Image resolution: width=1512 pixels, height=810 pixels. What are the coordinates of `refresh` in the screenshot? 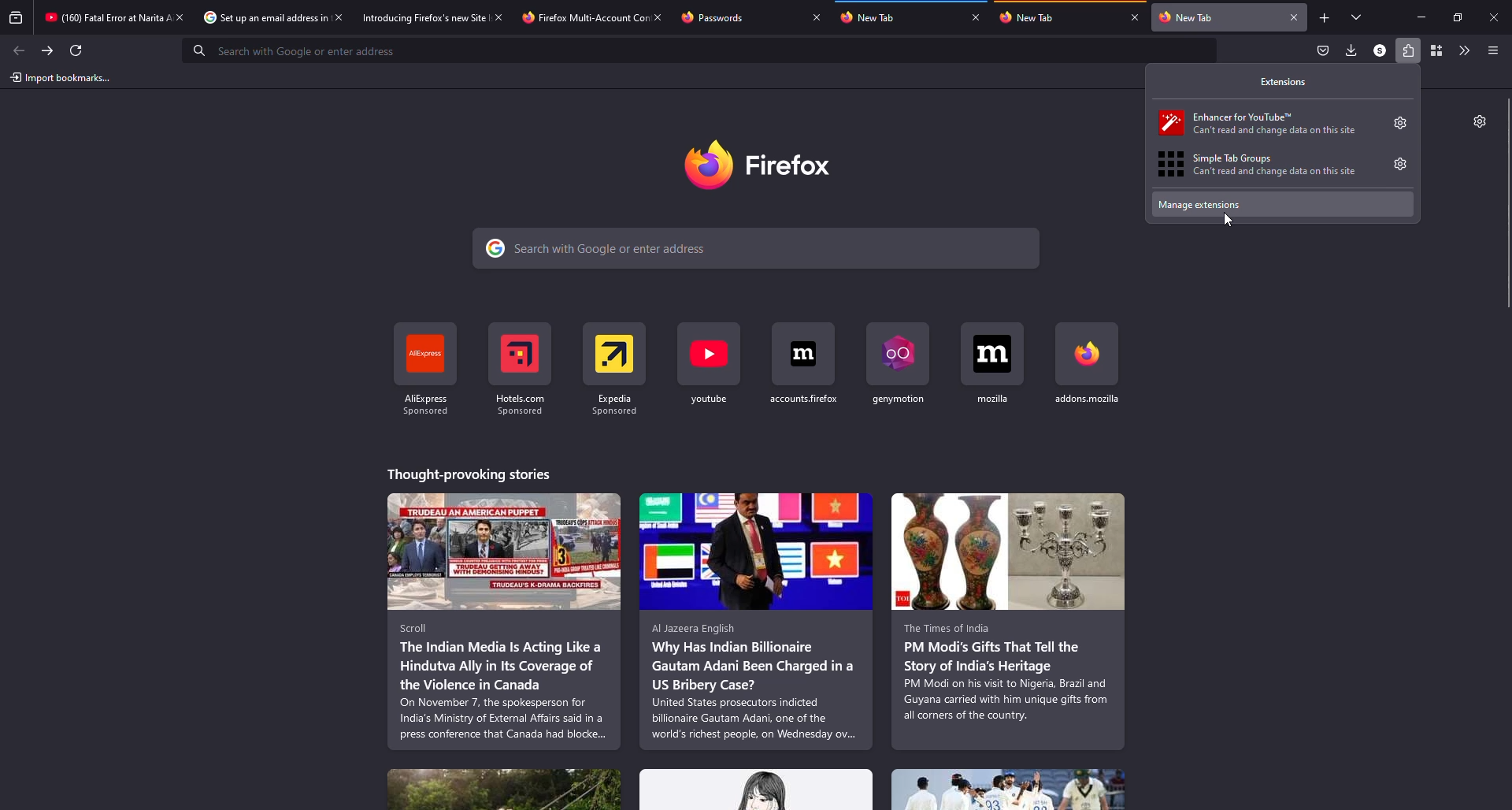 It's located at (76, 50).